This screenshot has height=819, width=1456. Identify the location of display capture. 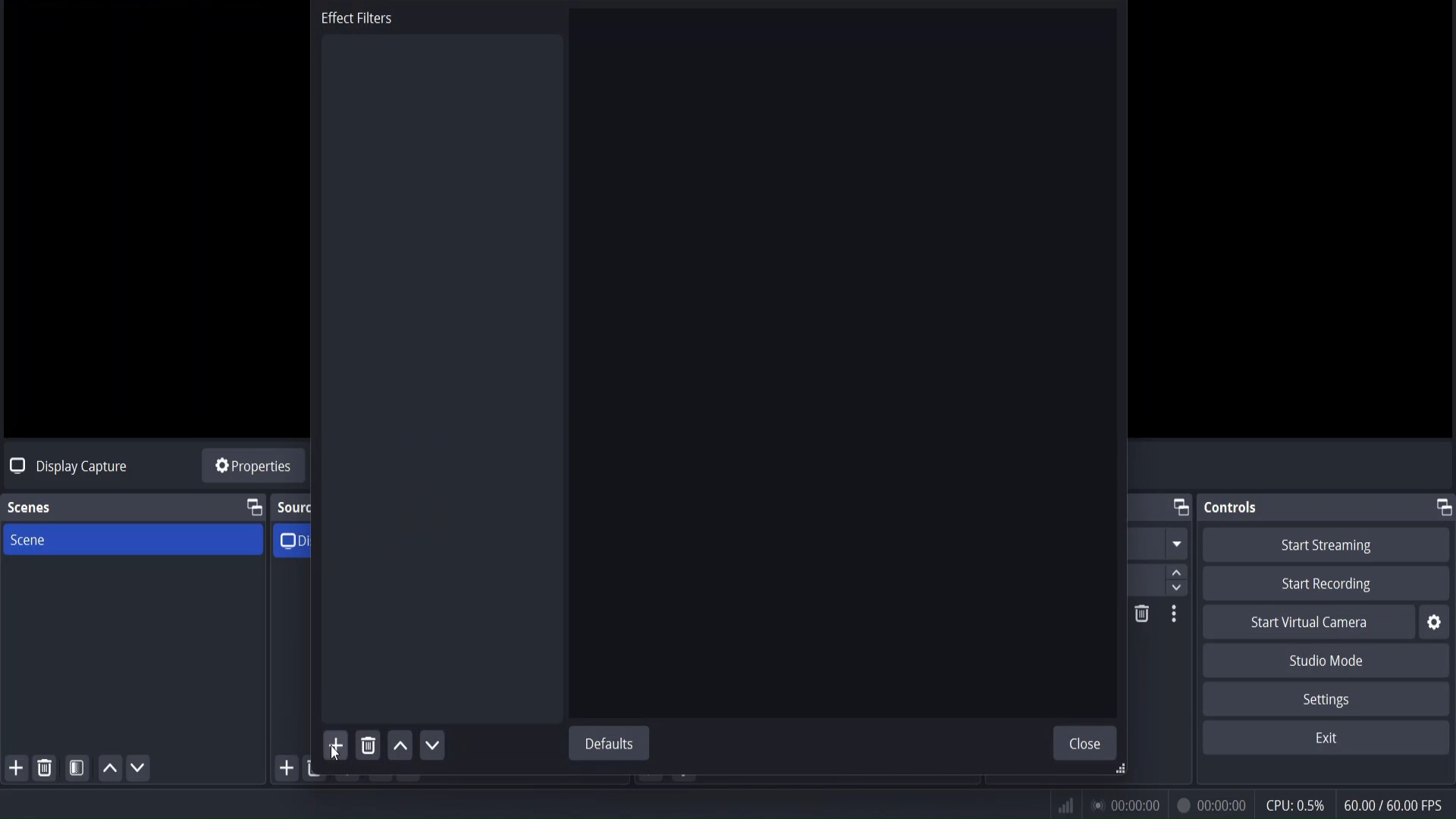
(300, 539).